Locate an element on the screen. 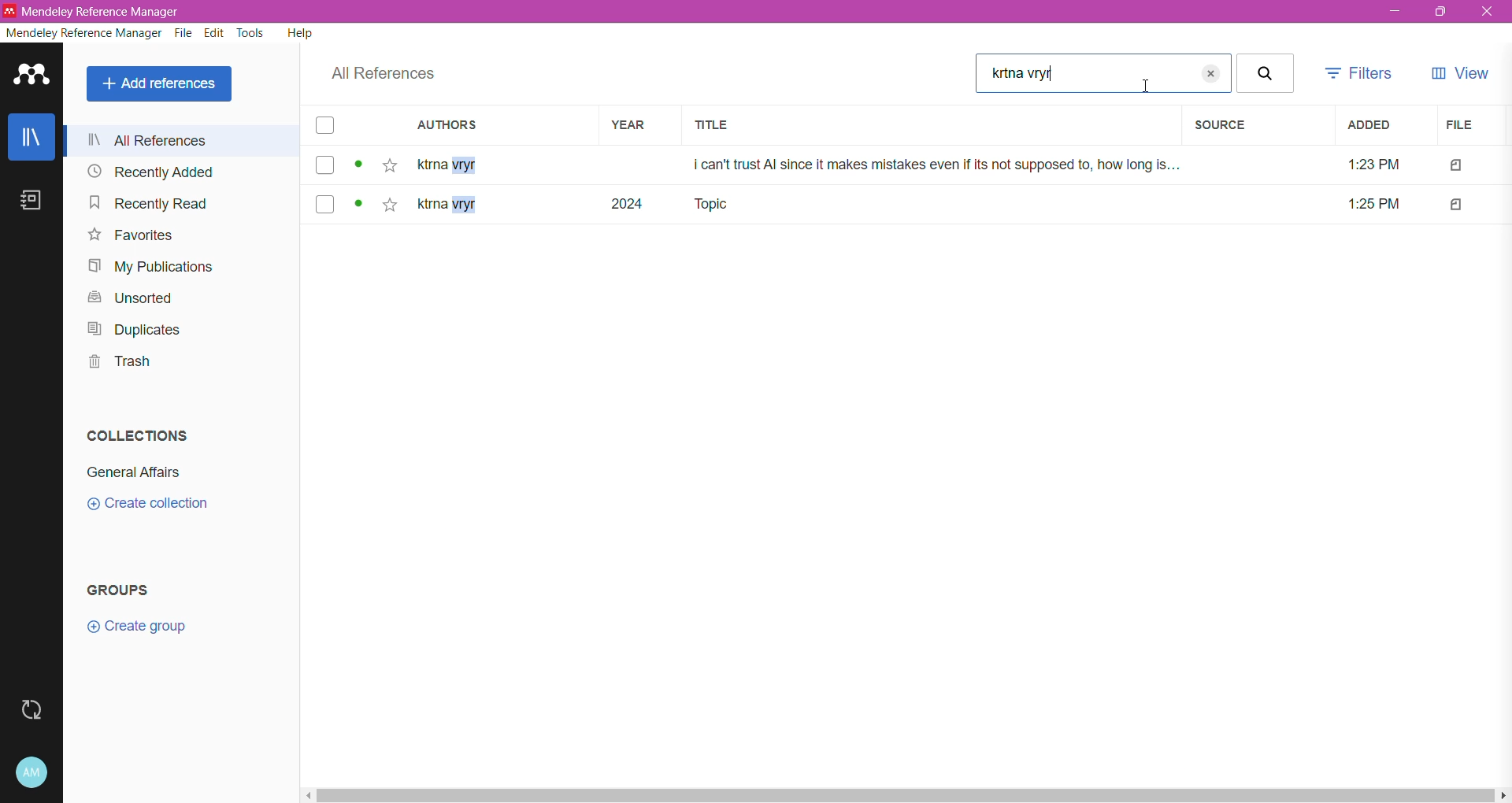  Last Sync is located at coordinates (33, 712).